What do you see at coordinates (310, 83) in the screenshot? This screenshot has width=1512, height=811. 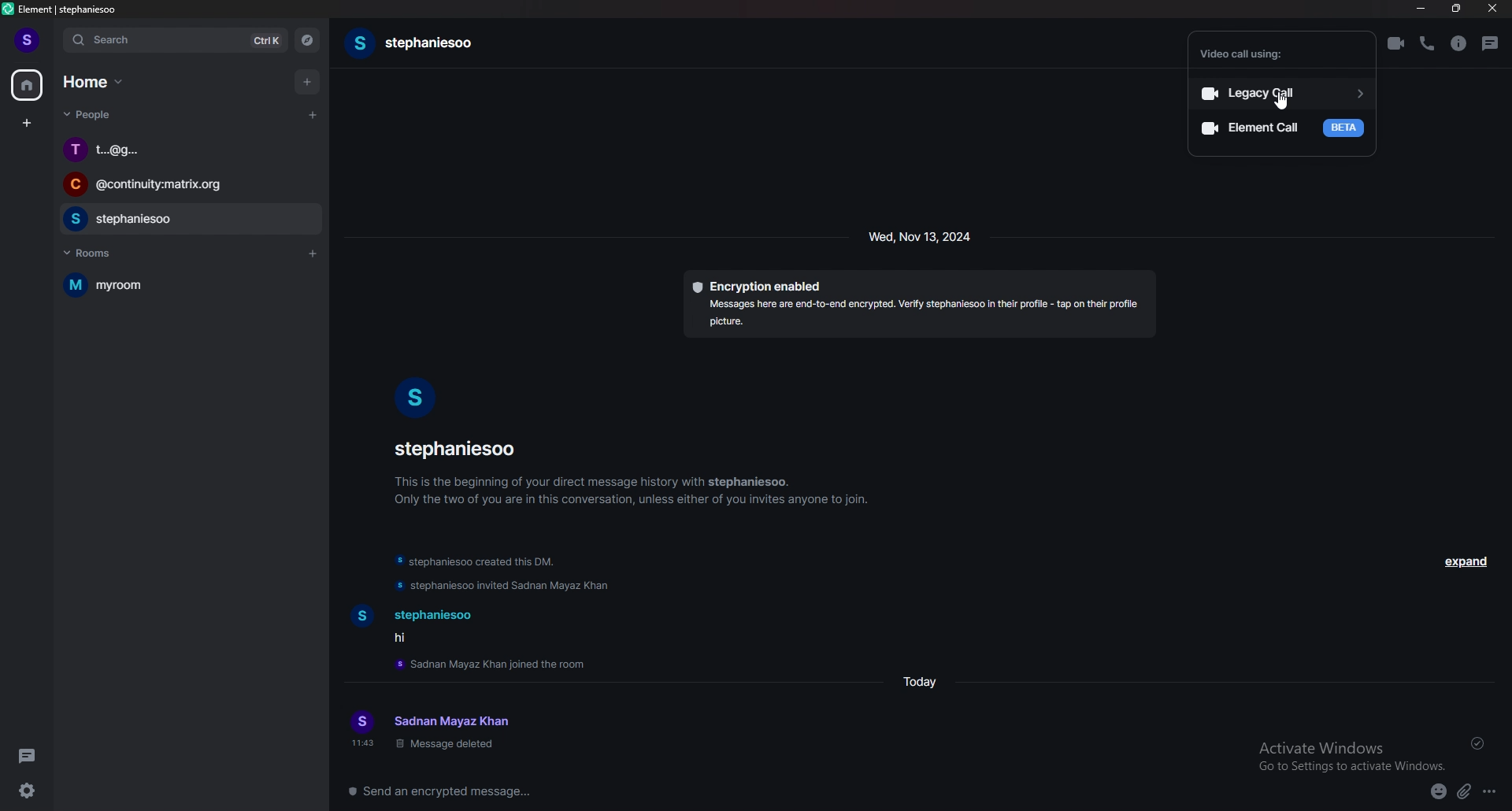 I see `add` at bounding box center [310, 83].